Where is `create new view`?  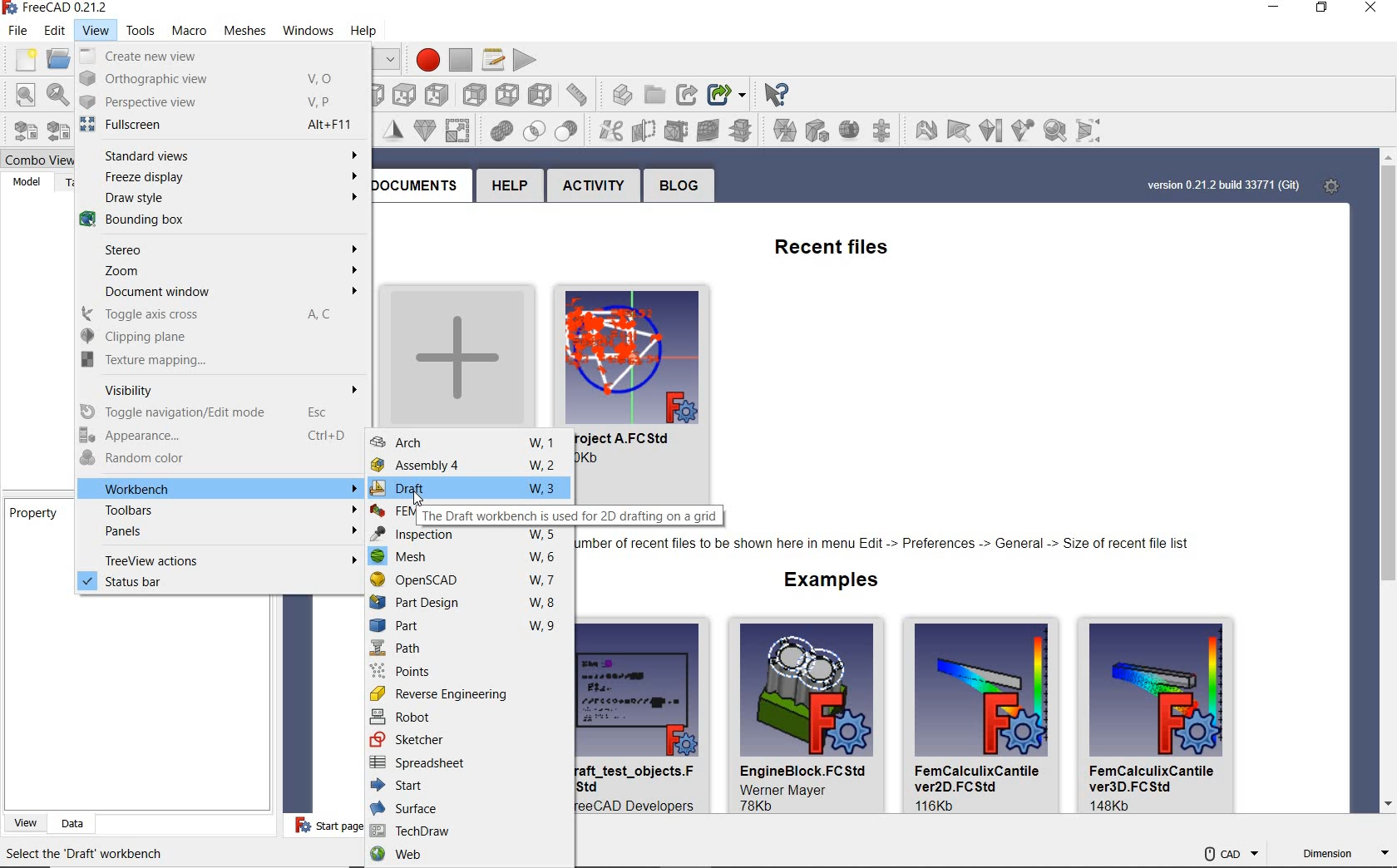 create new view is located at coordinates (213, 57).